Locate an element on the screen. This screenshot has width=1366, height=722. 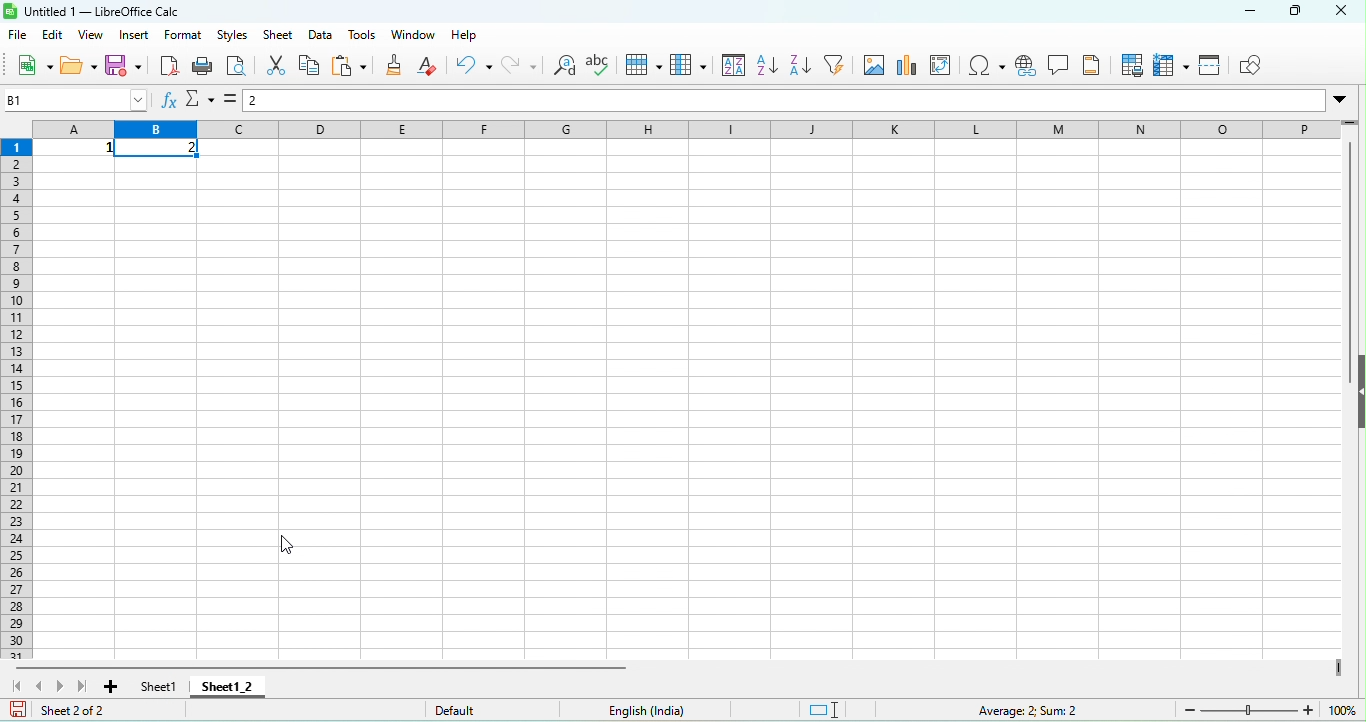
edit pivot table is located at coordinates (946, 70).